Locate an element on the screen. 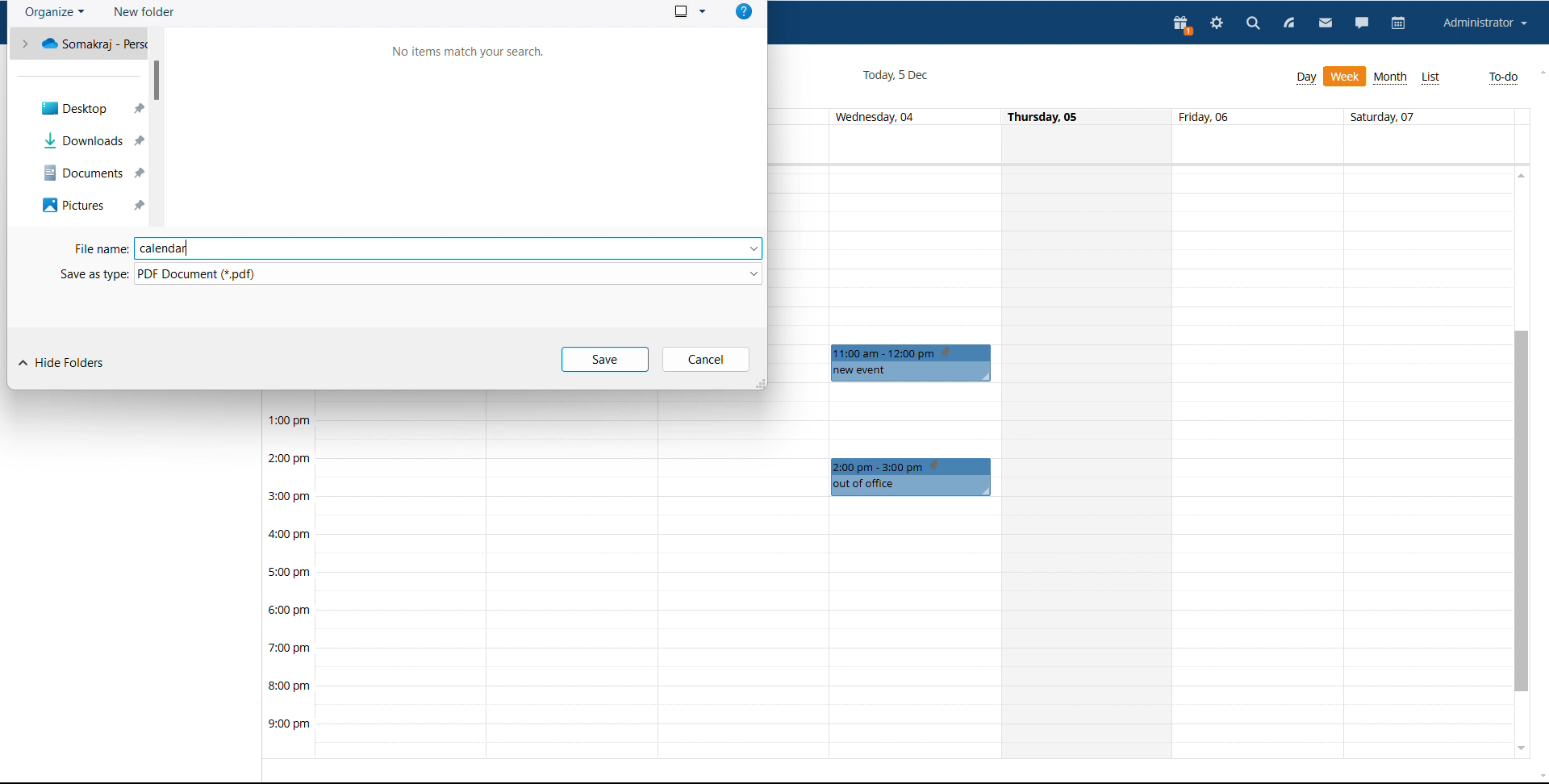  30 min span is located at coordinates (1344, 316).